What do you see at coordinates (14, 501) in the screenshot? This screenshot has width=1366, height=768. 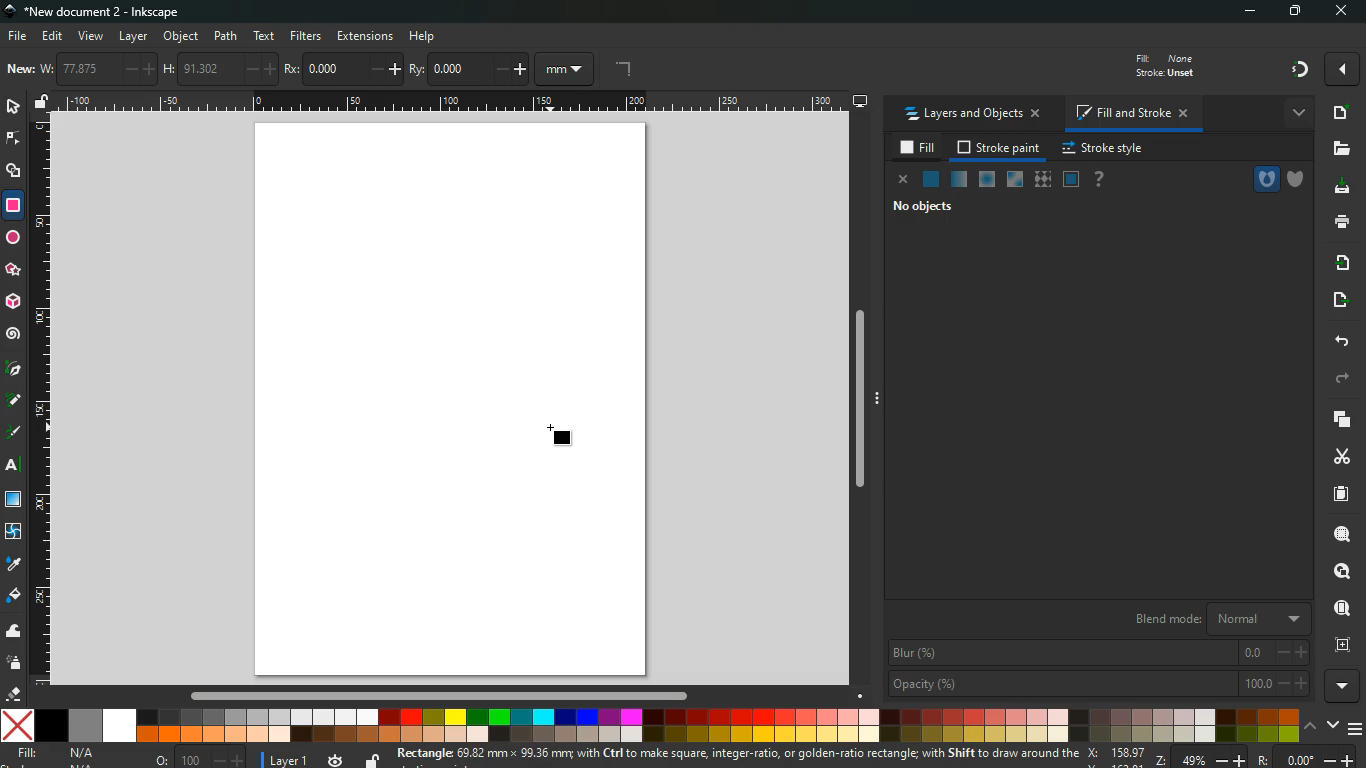 I see `window` at bounding box center [14, 501].